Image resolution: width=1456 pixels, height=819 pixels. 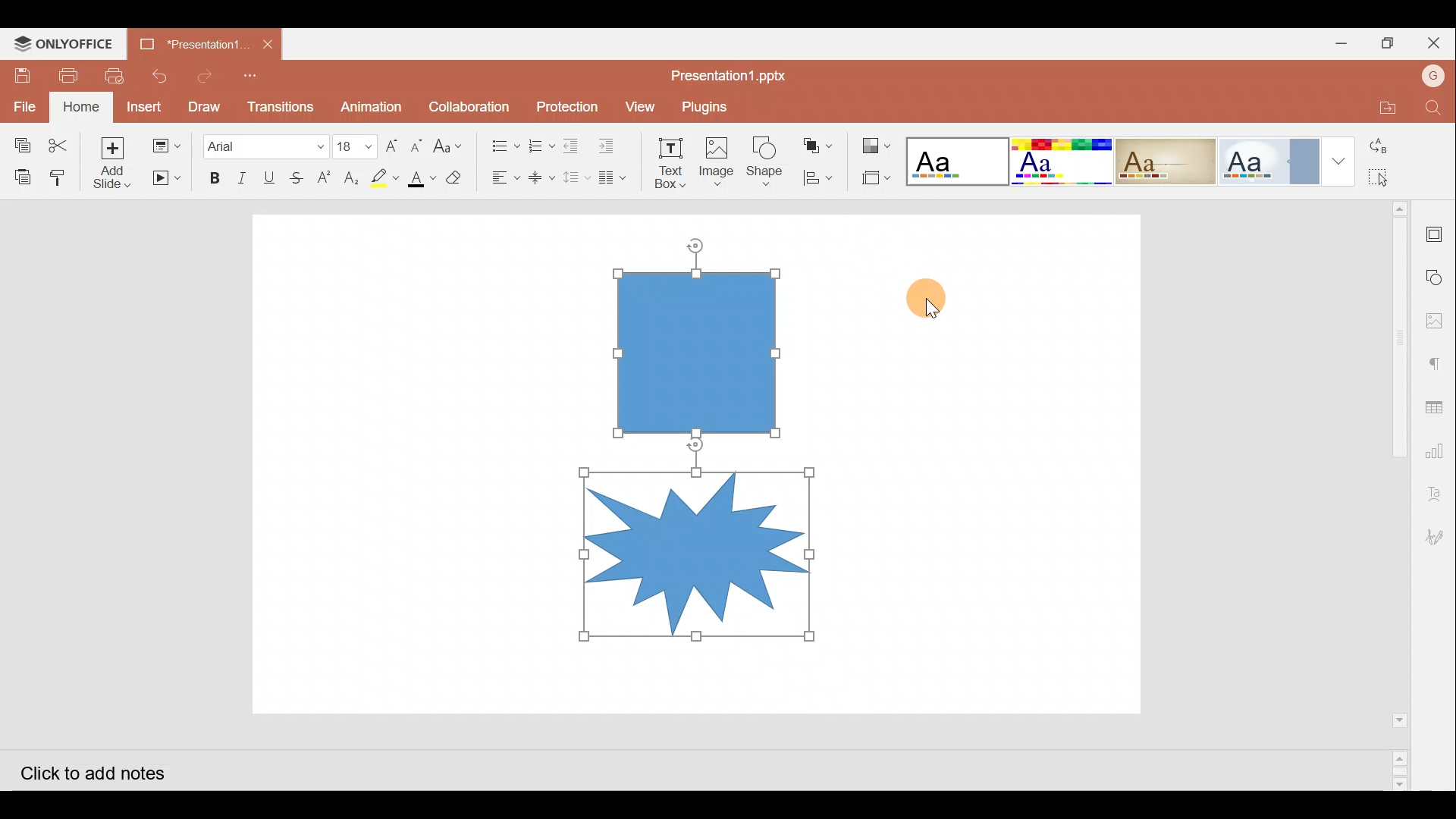 I want to click on More, so click(x=1341, y=159).